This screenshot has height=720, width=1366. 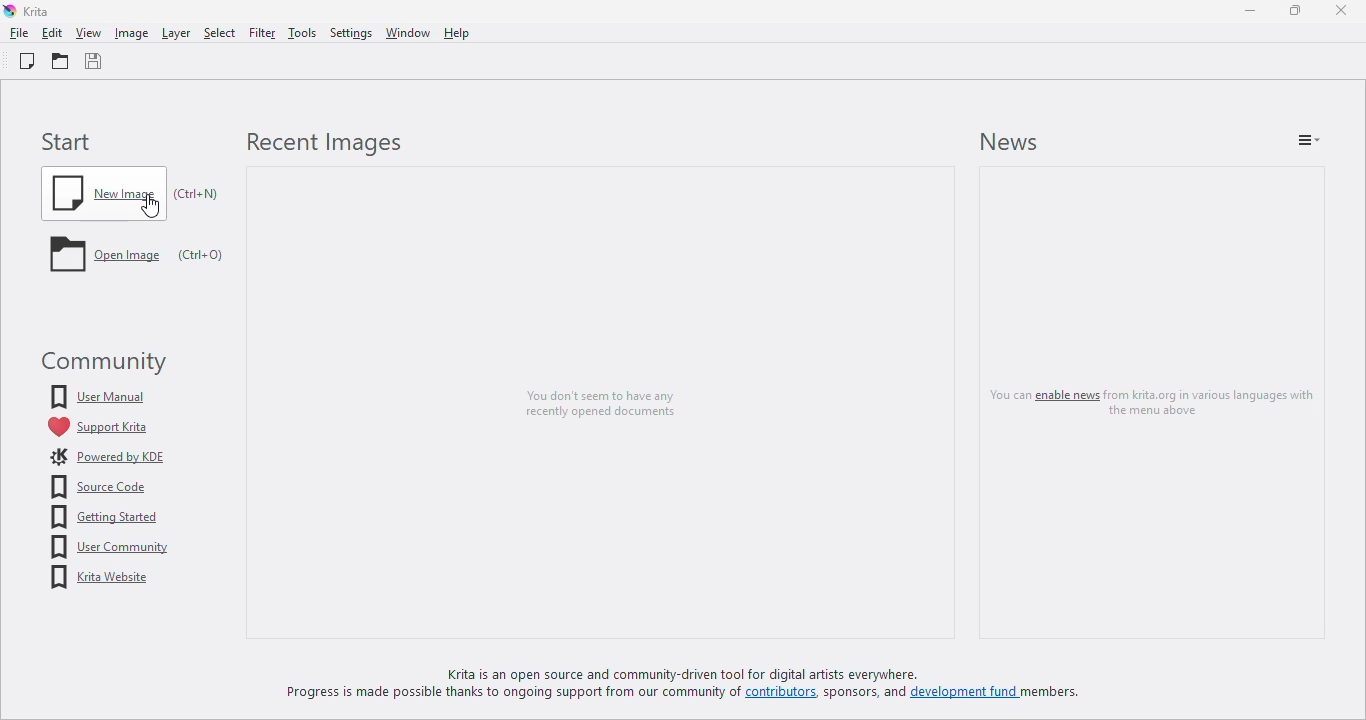 I want to click on news, so click(x=1009, y=142).